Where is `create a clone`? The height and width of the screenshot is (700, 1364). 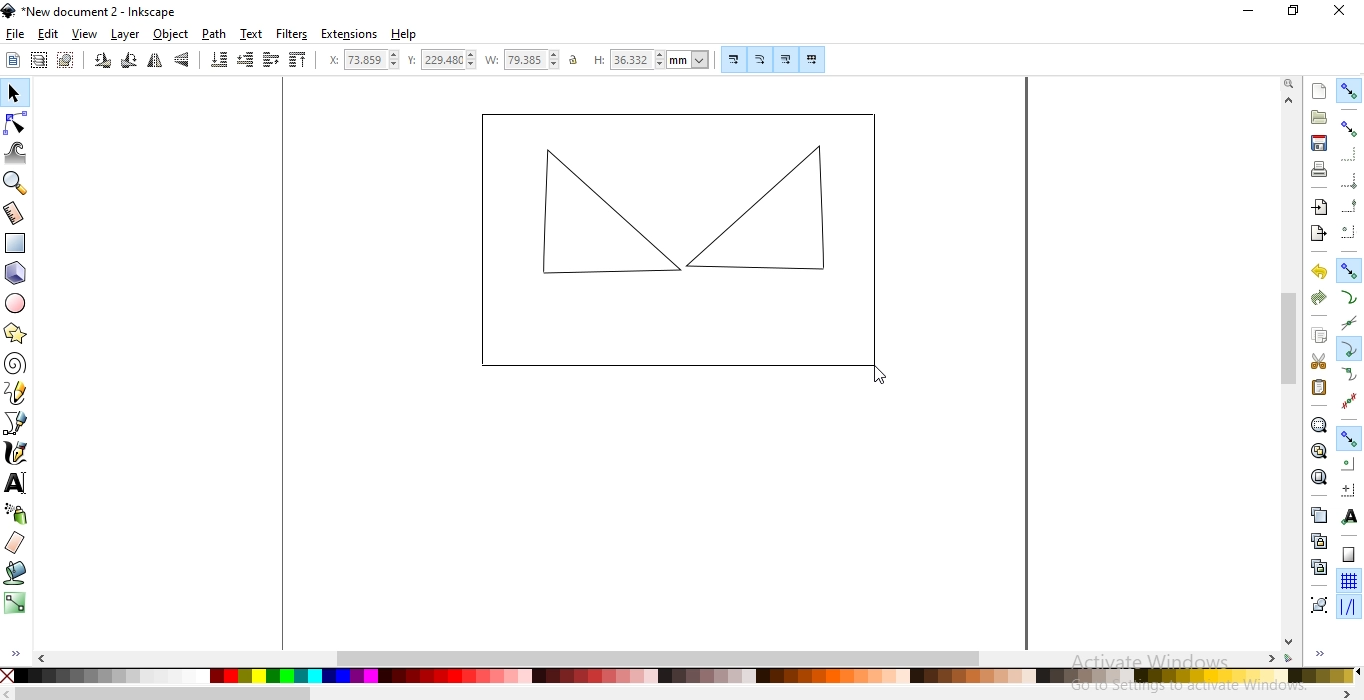 create a clone is located at coordinates (1316, 541).